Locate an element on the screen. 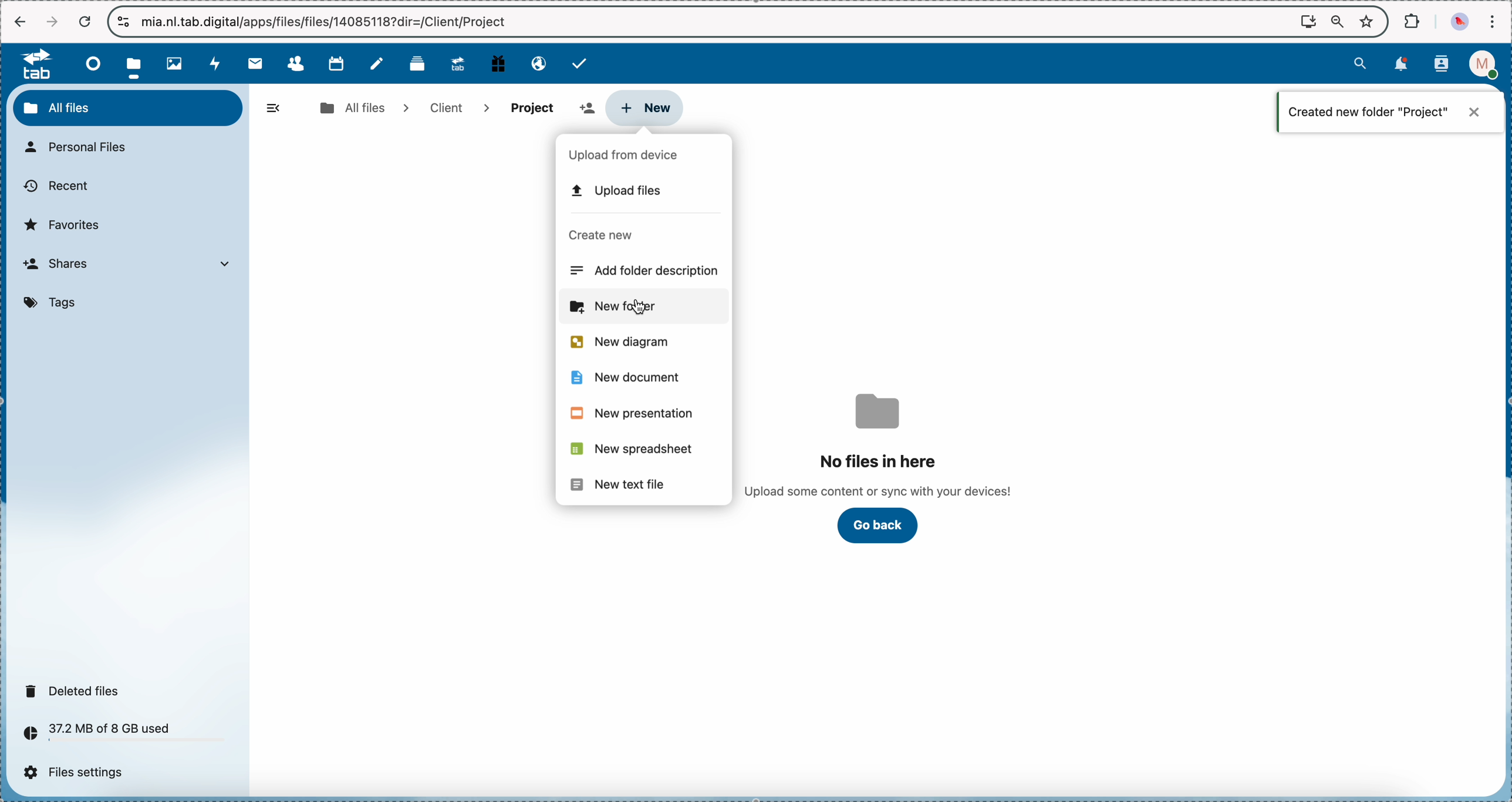  add is located at coordinates (585, 109).